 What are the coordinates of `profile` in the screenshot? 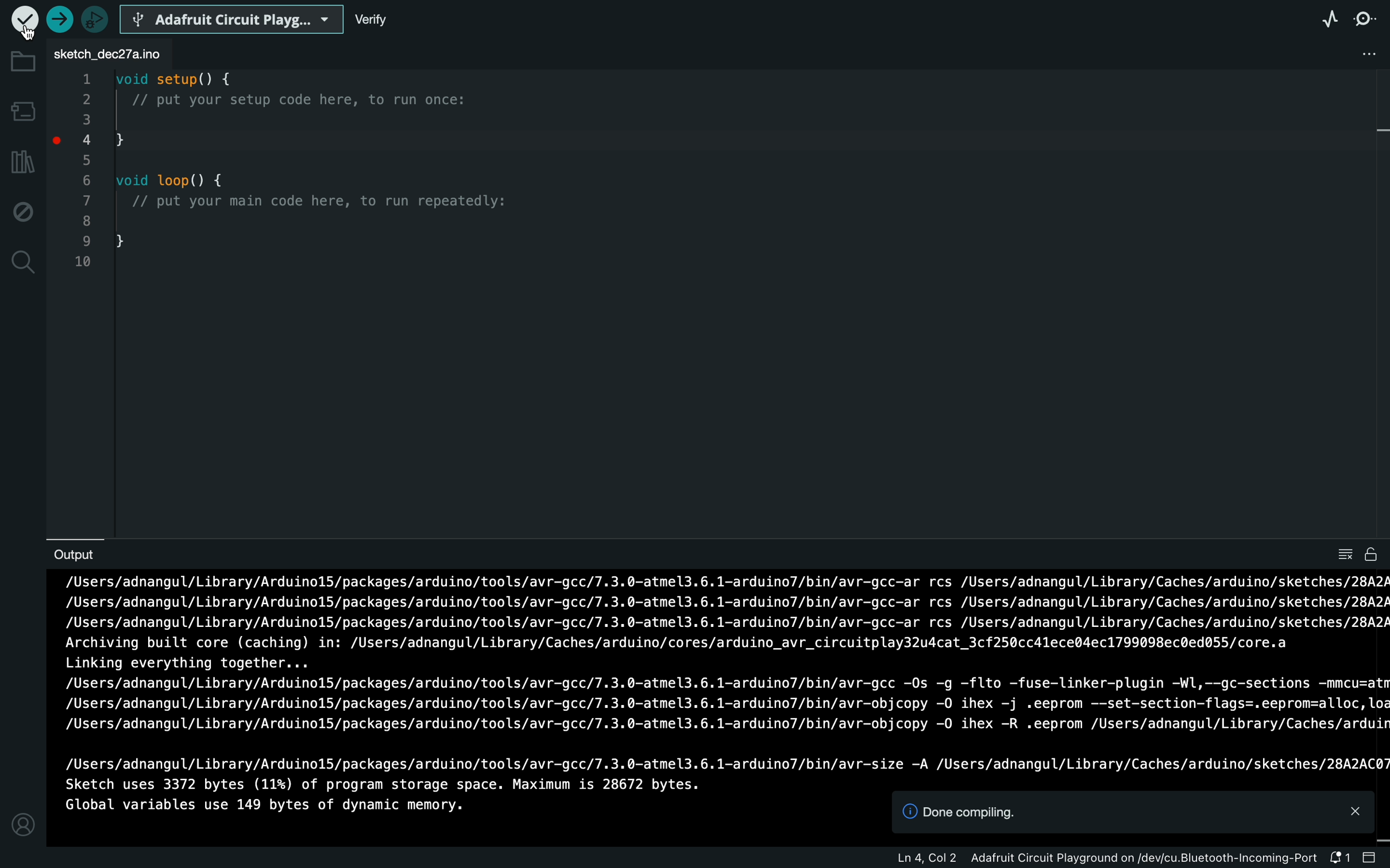 It's located at (21, 824).